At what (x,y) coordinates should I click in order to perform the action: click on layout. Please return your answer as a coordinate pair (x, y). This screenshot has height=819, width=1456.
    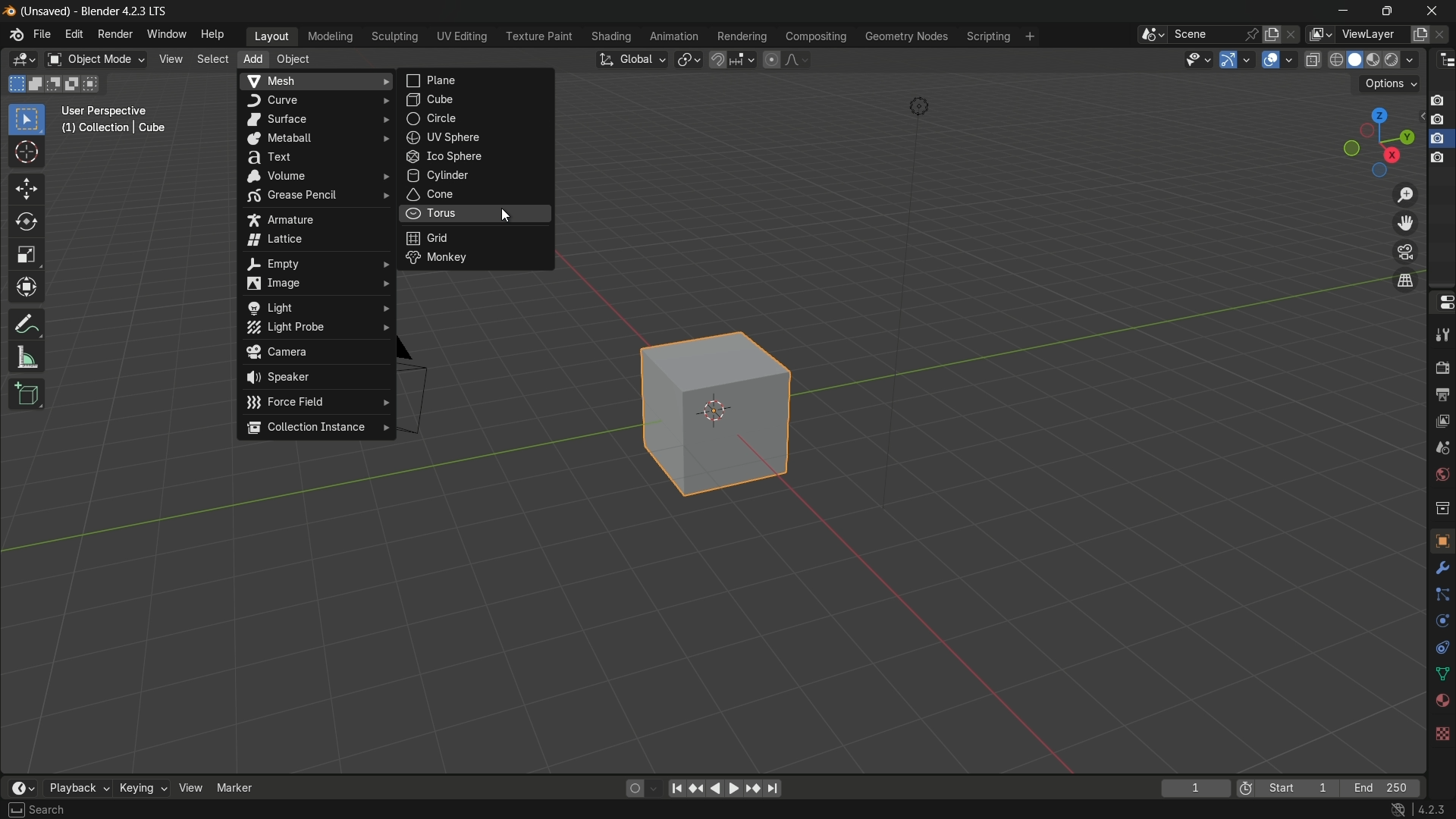
    Looking at the image, I should click on (272, 36).